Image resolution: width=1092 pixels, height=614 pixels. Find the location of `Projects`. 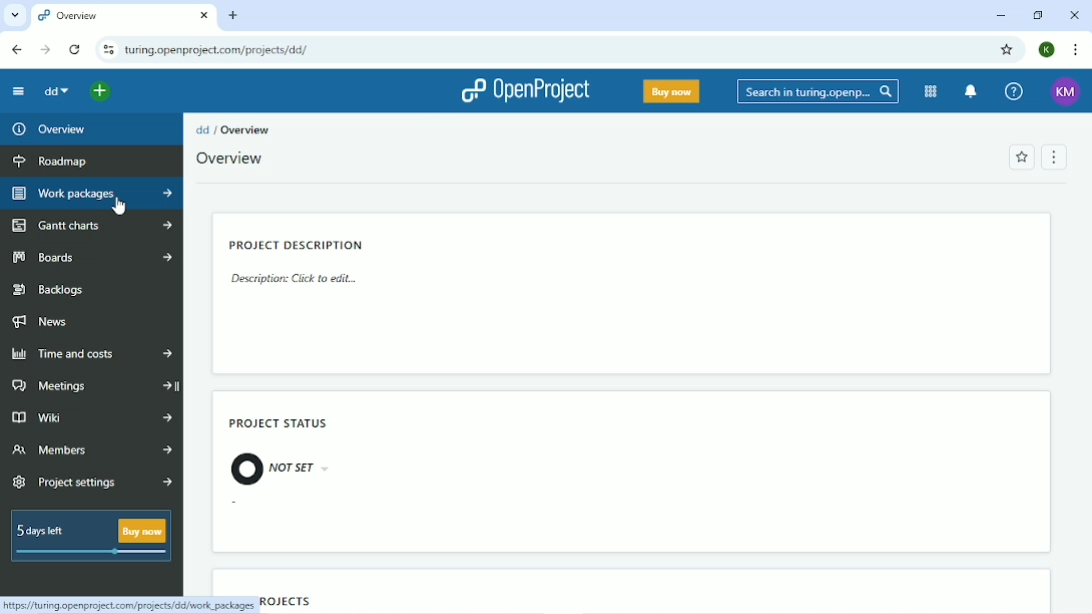

Projects is located at coordinates (291, 602).